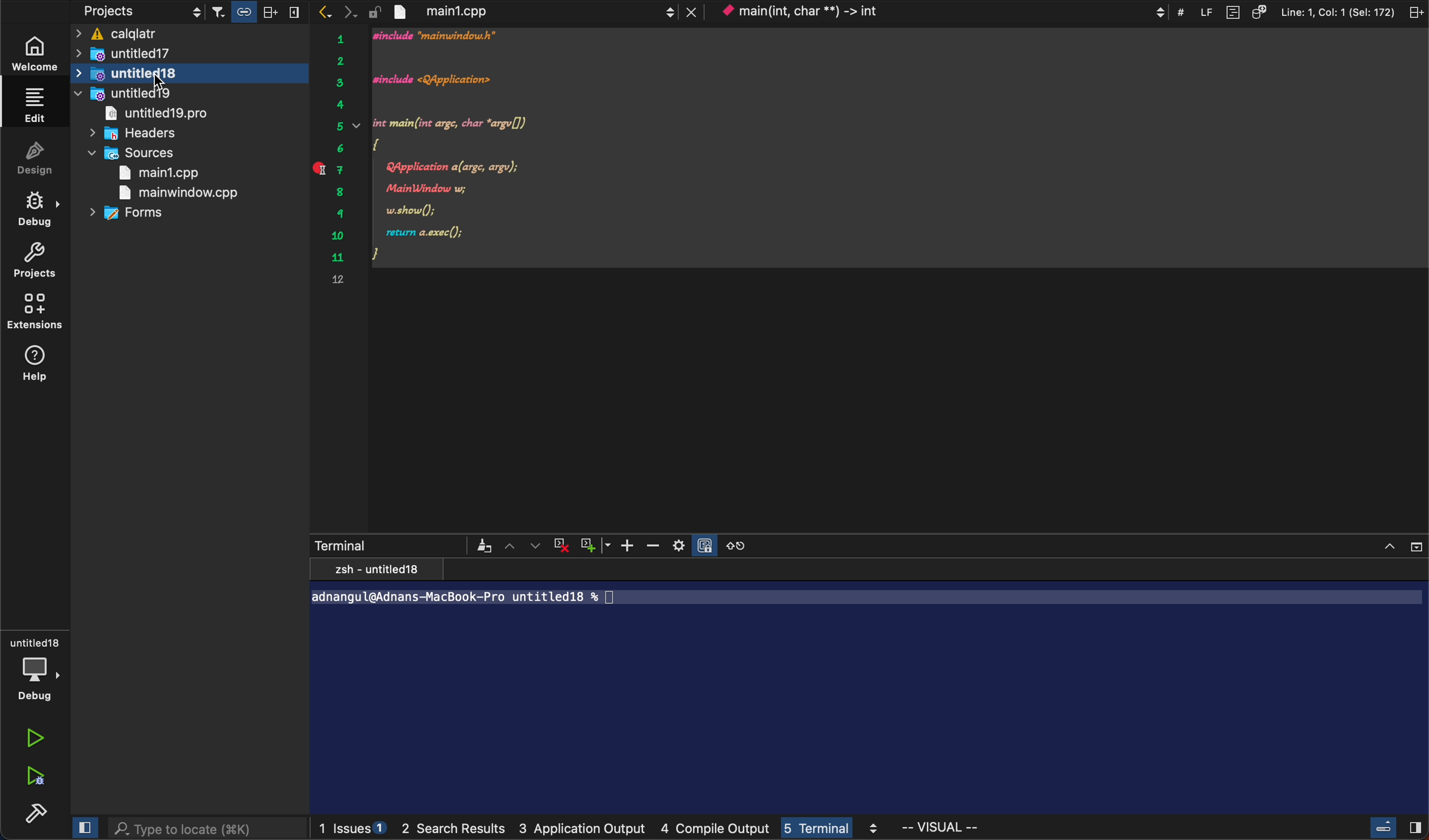  I want to click on previous, so click(324, 12).